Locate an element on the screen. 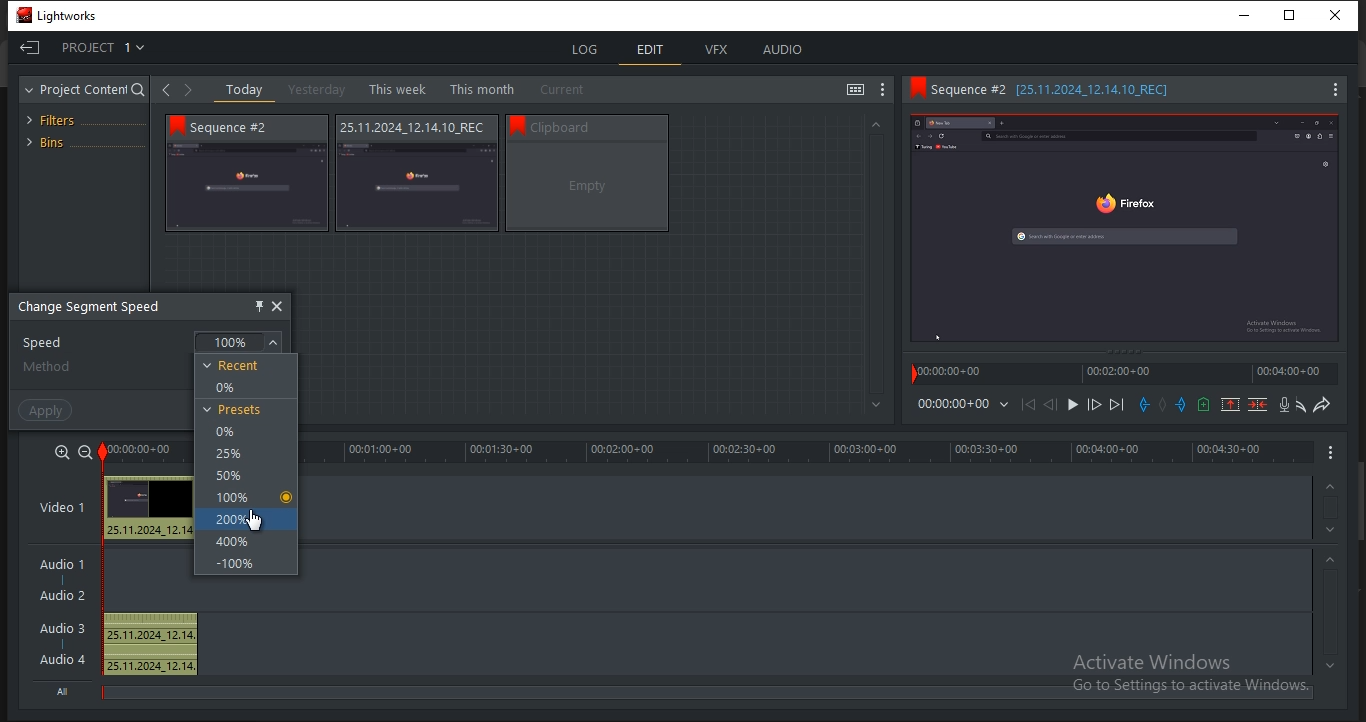  25.11.2024_12.14, 25.11.2024_12.14 is located at coordinates (154, 645).